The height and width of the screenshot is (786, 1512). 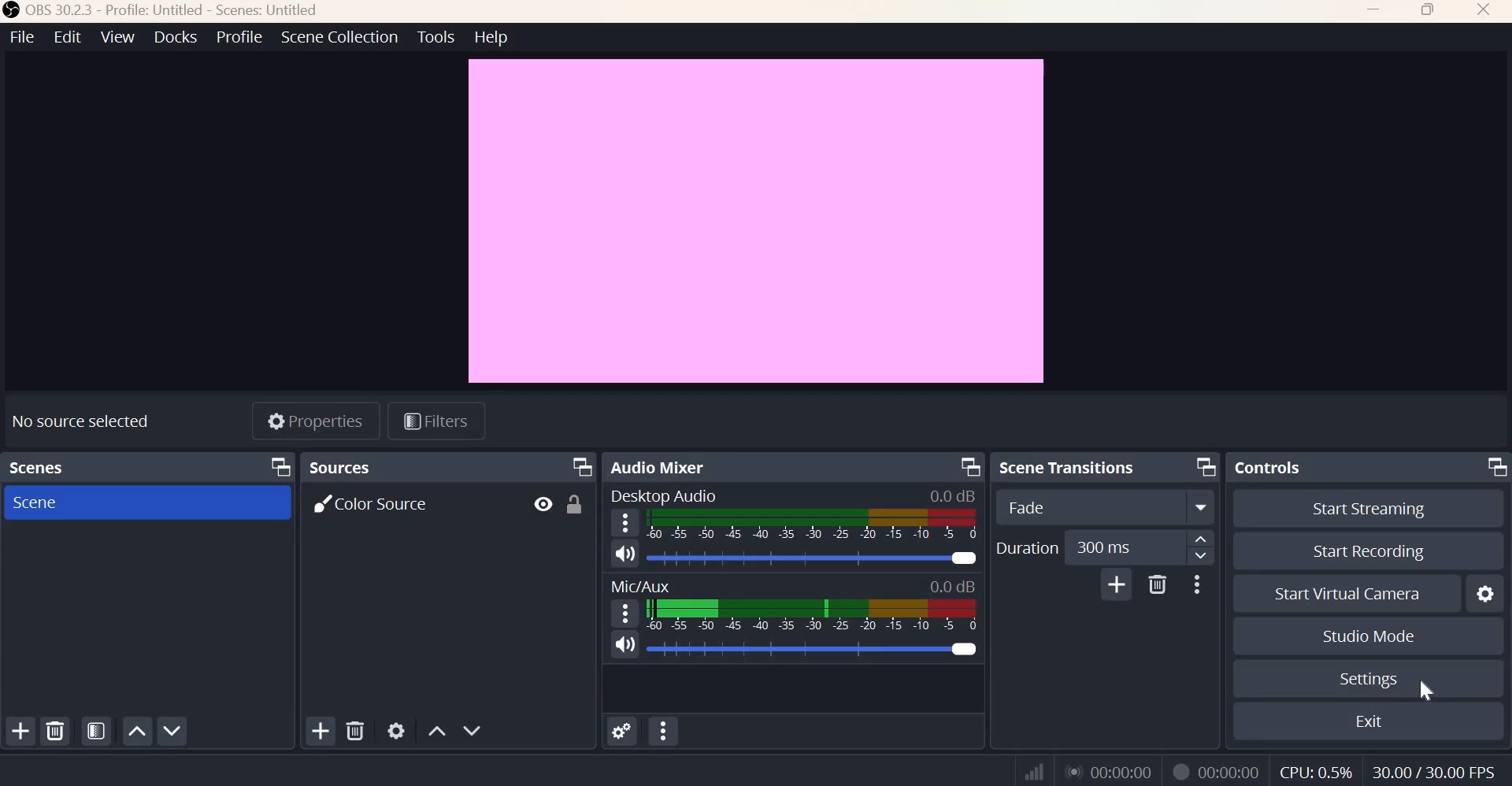 What do you see at coordinates (1366, 680) in the screenshot?
I see `Settings` at bounding box center [1366, 680].